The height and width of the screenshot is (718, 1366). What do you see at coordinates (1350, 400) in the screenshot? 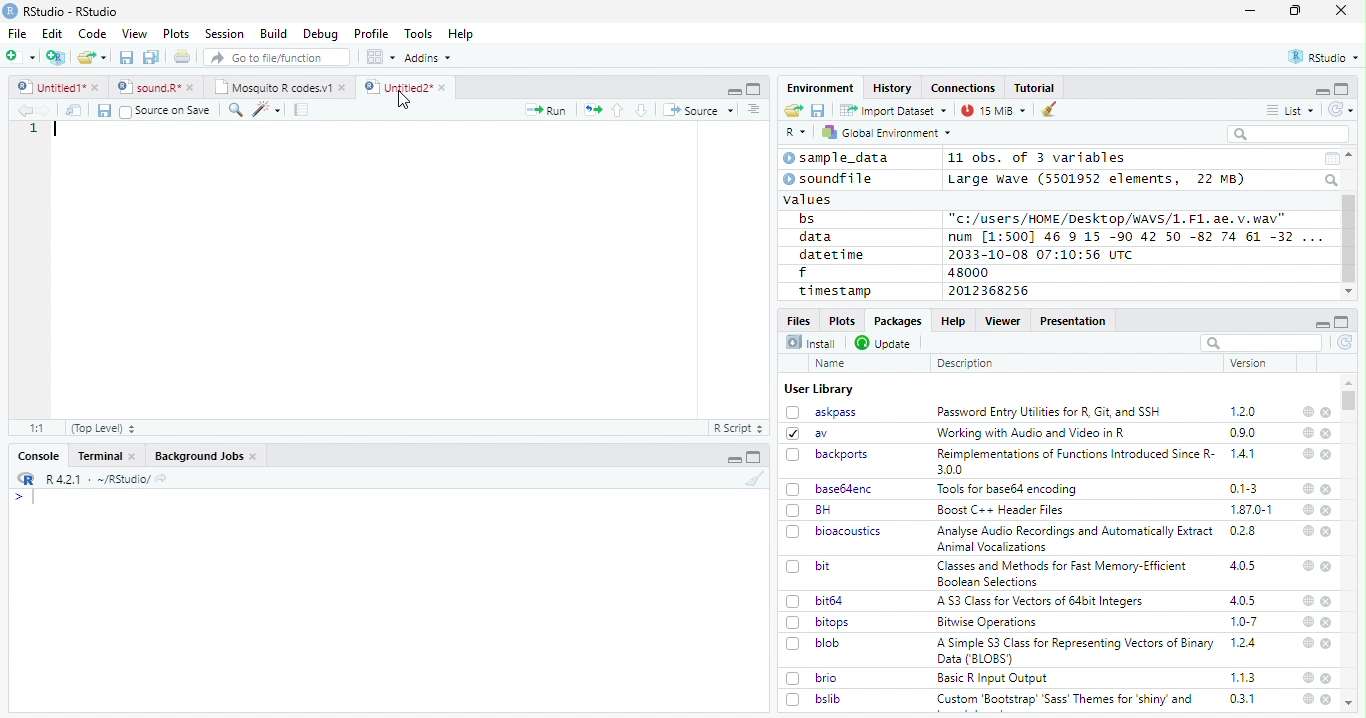
I see `scroll bar` at bounding box center [1350, 400].